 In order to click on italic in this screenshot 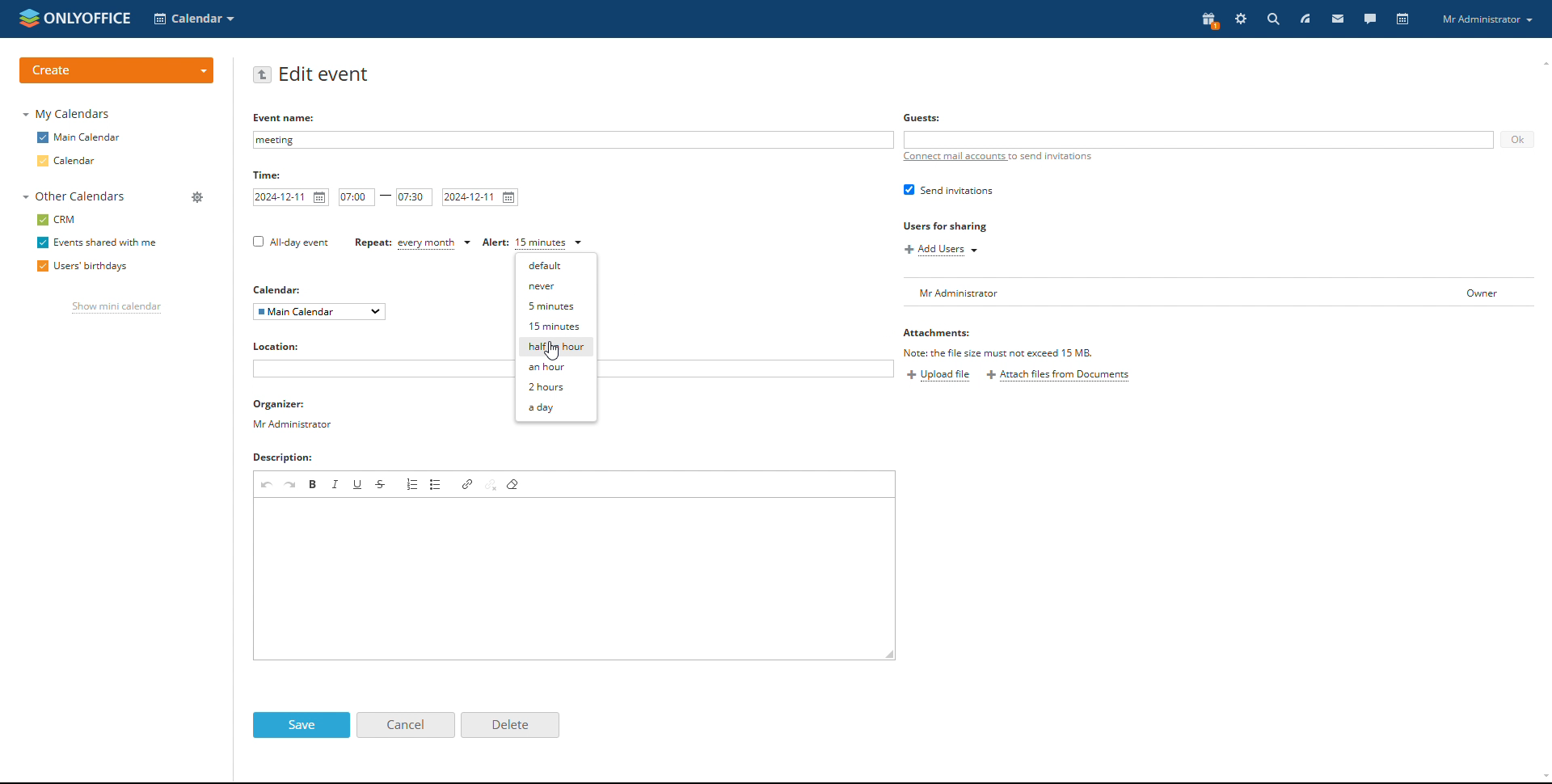, I will do `click(336, 484)`.